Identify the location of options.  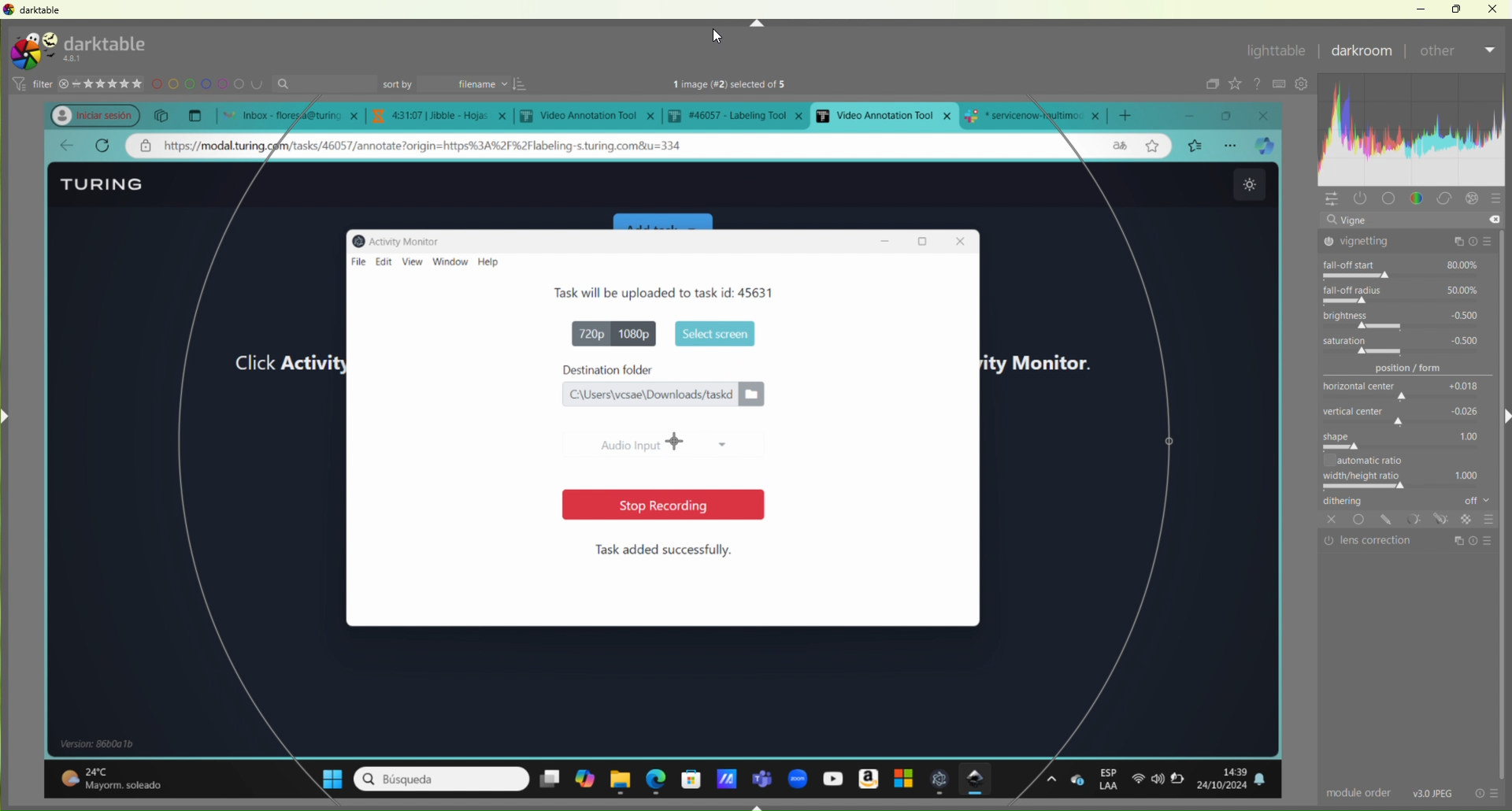
(1232, 145).